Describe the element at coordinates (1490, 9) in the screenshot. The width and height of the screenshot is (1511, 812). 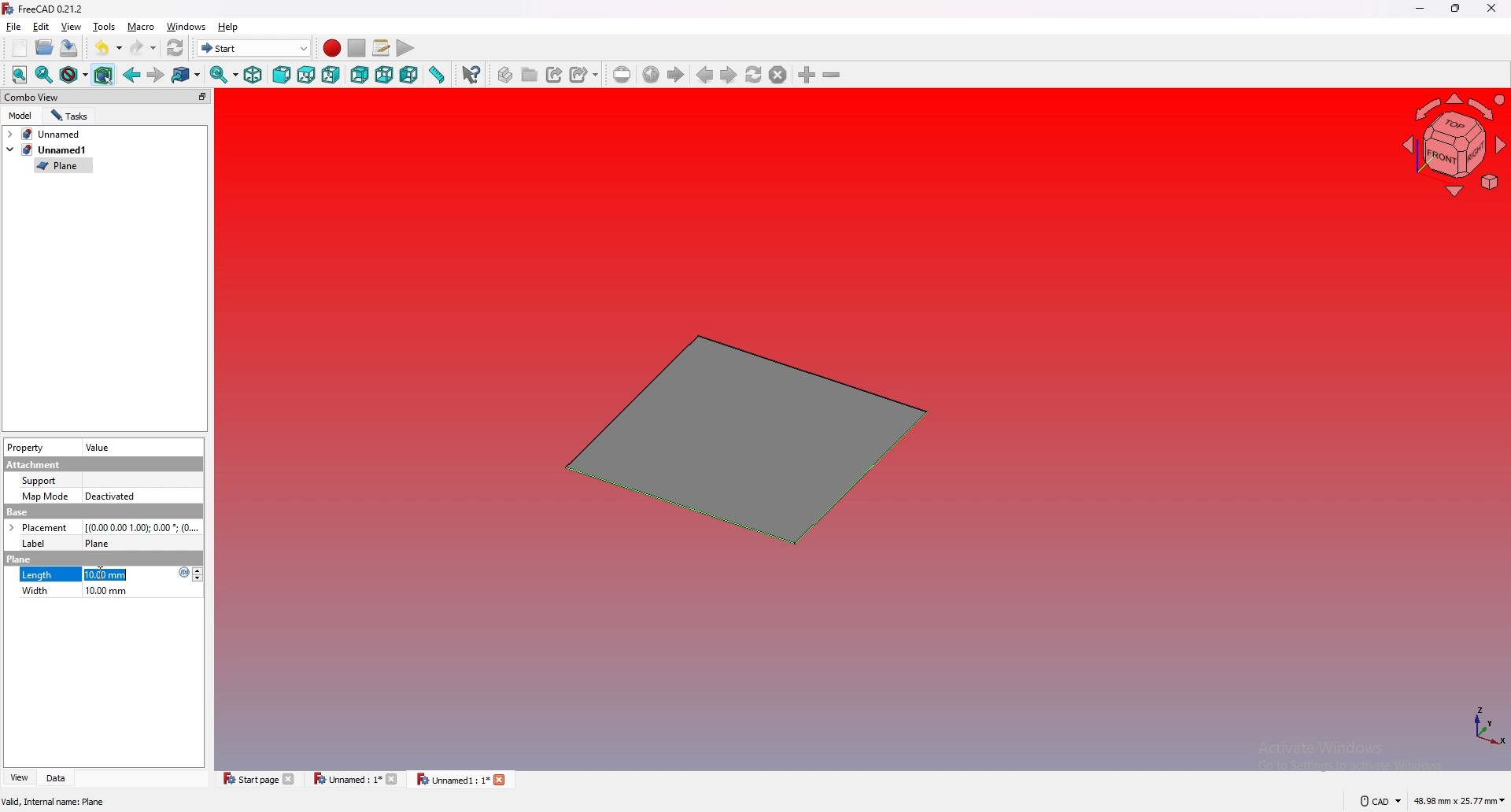
I see `close` at that location.